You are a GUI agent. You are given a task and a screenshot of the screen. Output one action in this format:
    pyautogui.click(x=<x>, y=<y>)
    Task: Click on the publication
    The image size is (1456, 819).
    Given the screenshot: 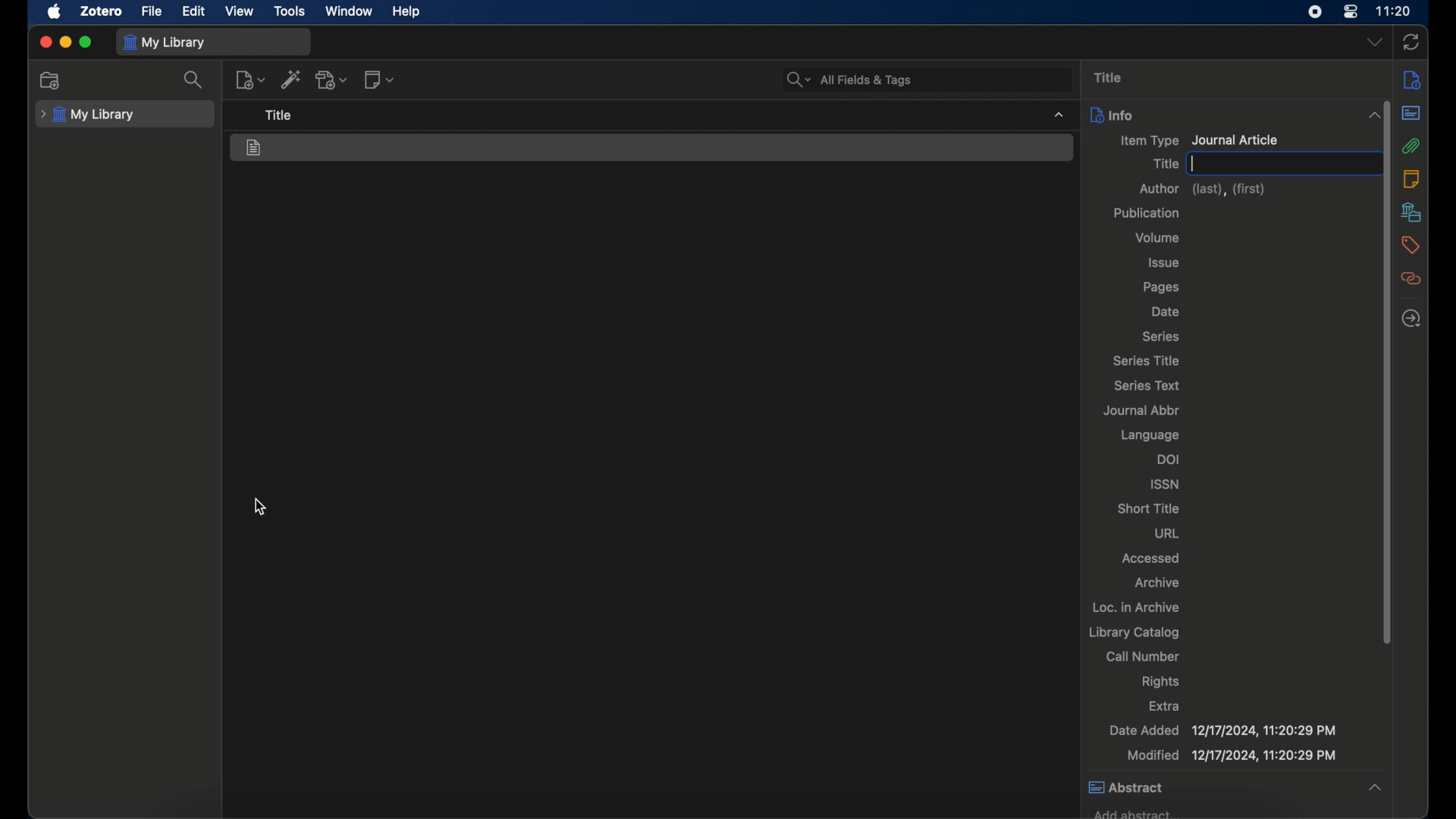 What is the action you would take?
    pyautogui.click(x=1147, y=212)
    